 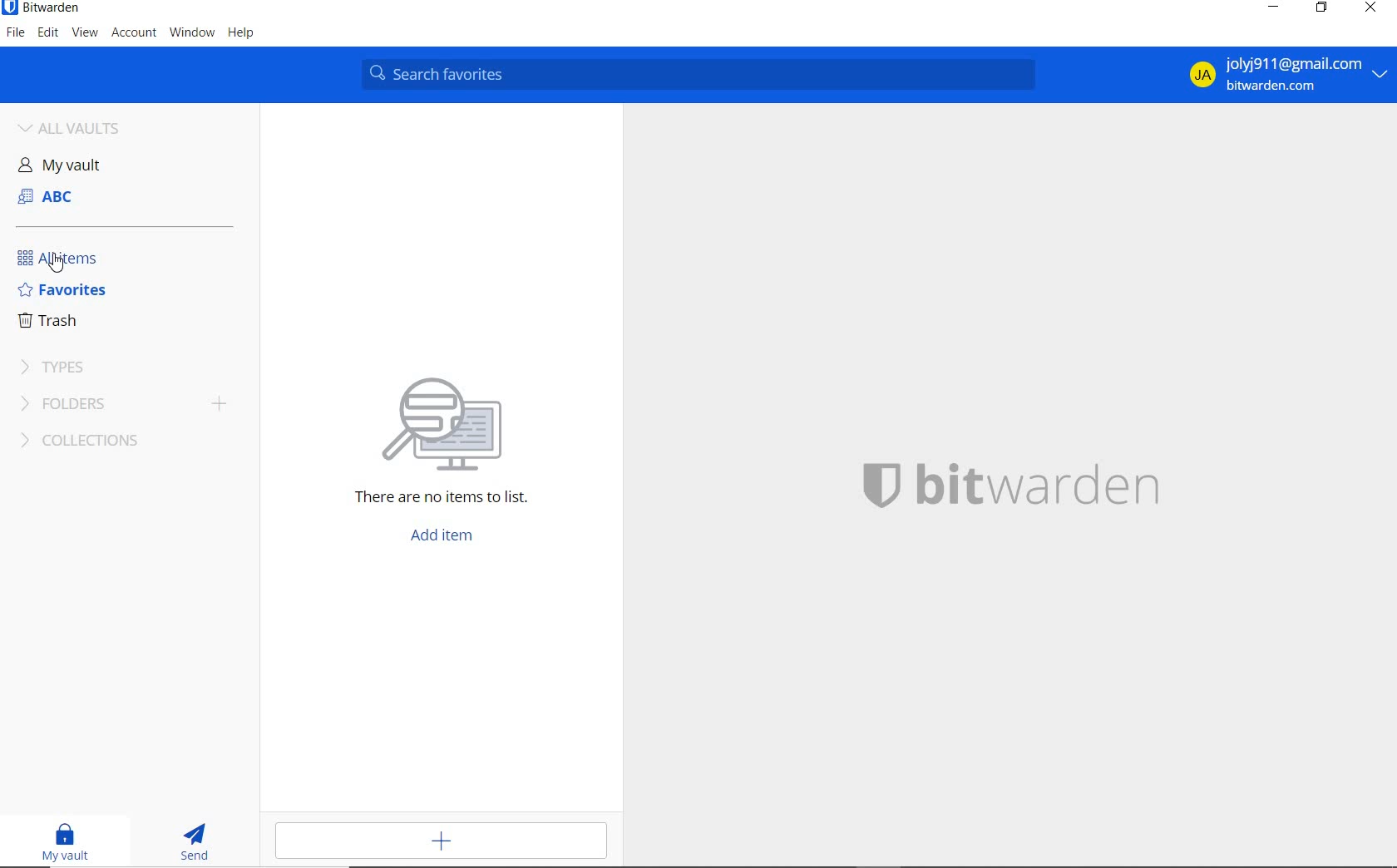 What do you see at coordinates (225, 406) in the screenshot?
I see `add folder` at bounding box center [225, 406].